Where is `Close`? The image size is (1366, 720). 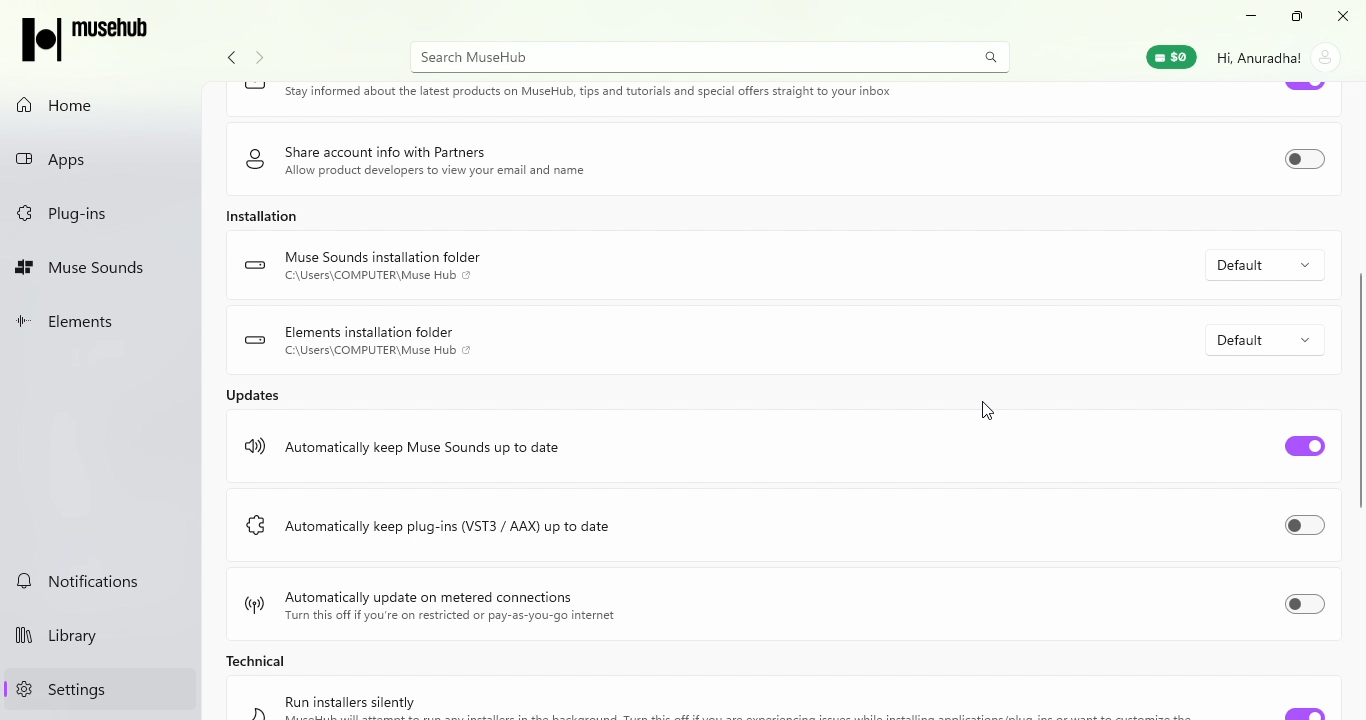 Close is located at coordinates (1346, 19).